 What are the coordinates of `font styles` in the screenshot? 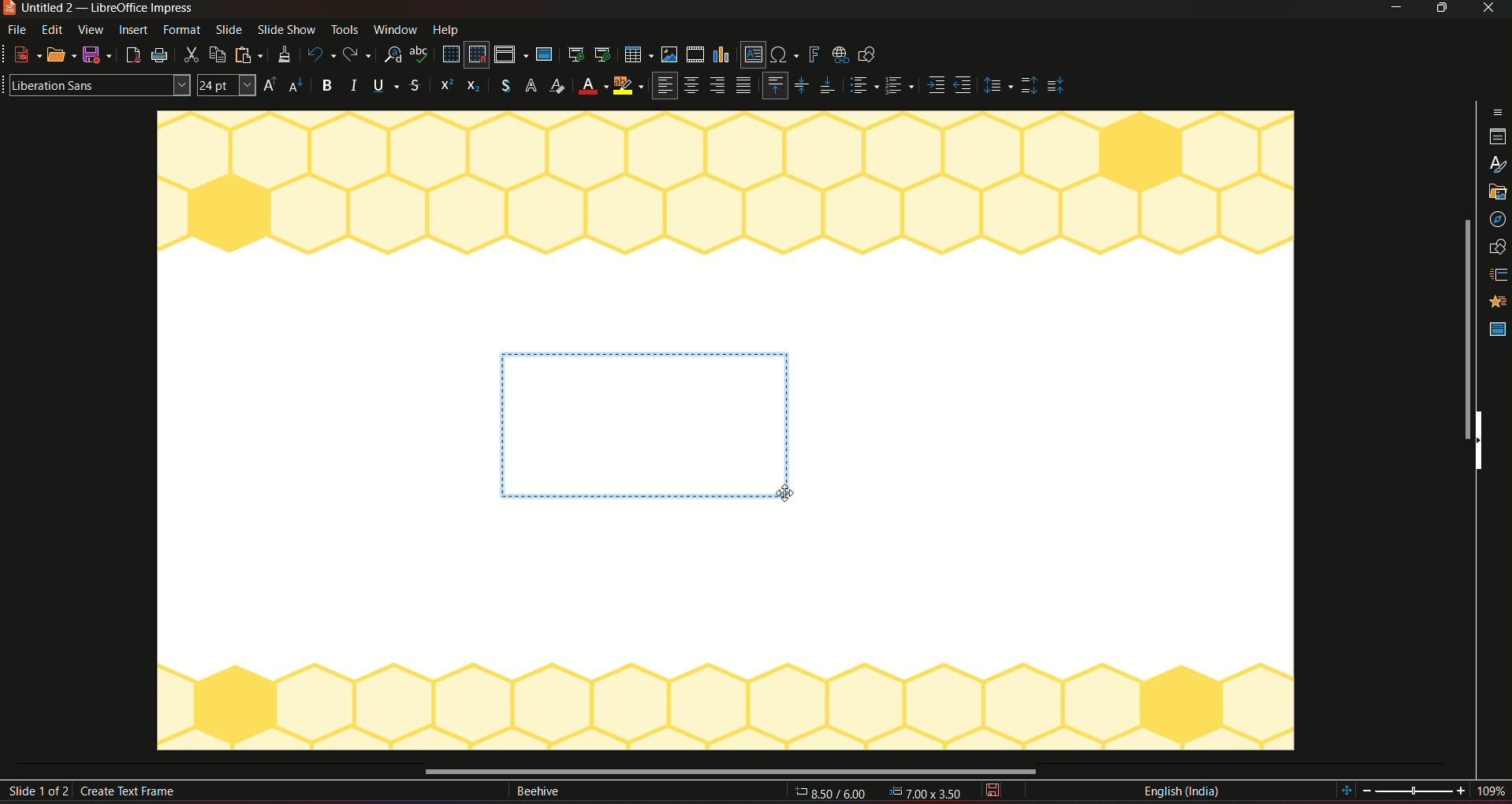 It's located at (531, 87).